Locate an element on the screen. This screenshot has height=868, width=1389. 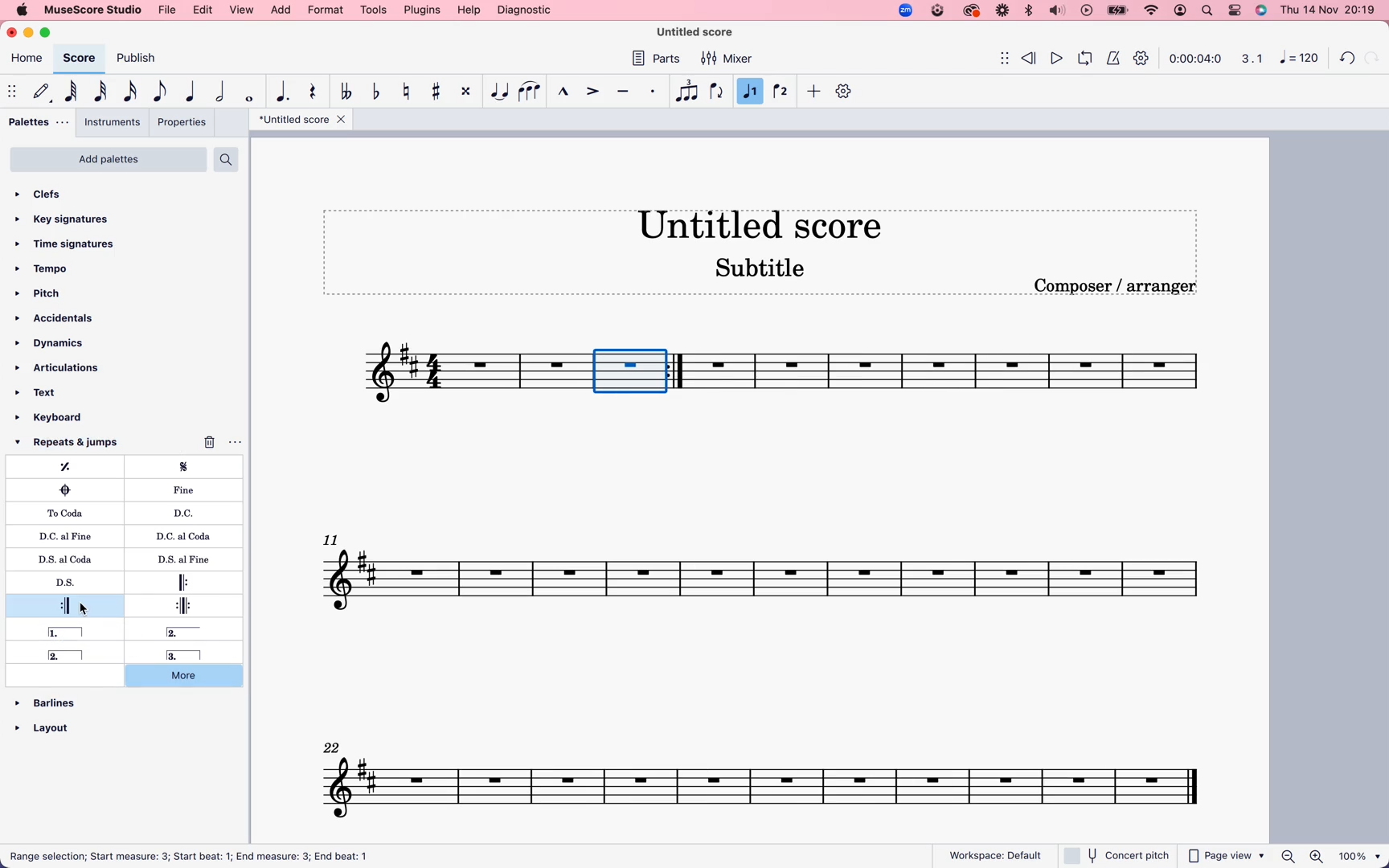
diagnostic is located at coordinates (525, 10).